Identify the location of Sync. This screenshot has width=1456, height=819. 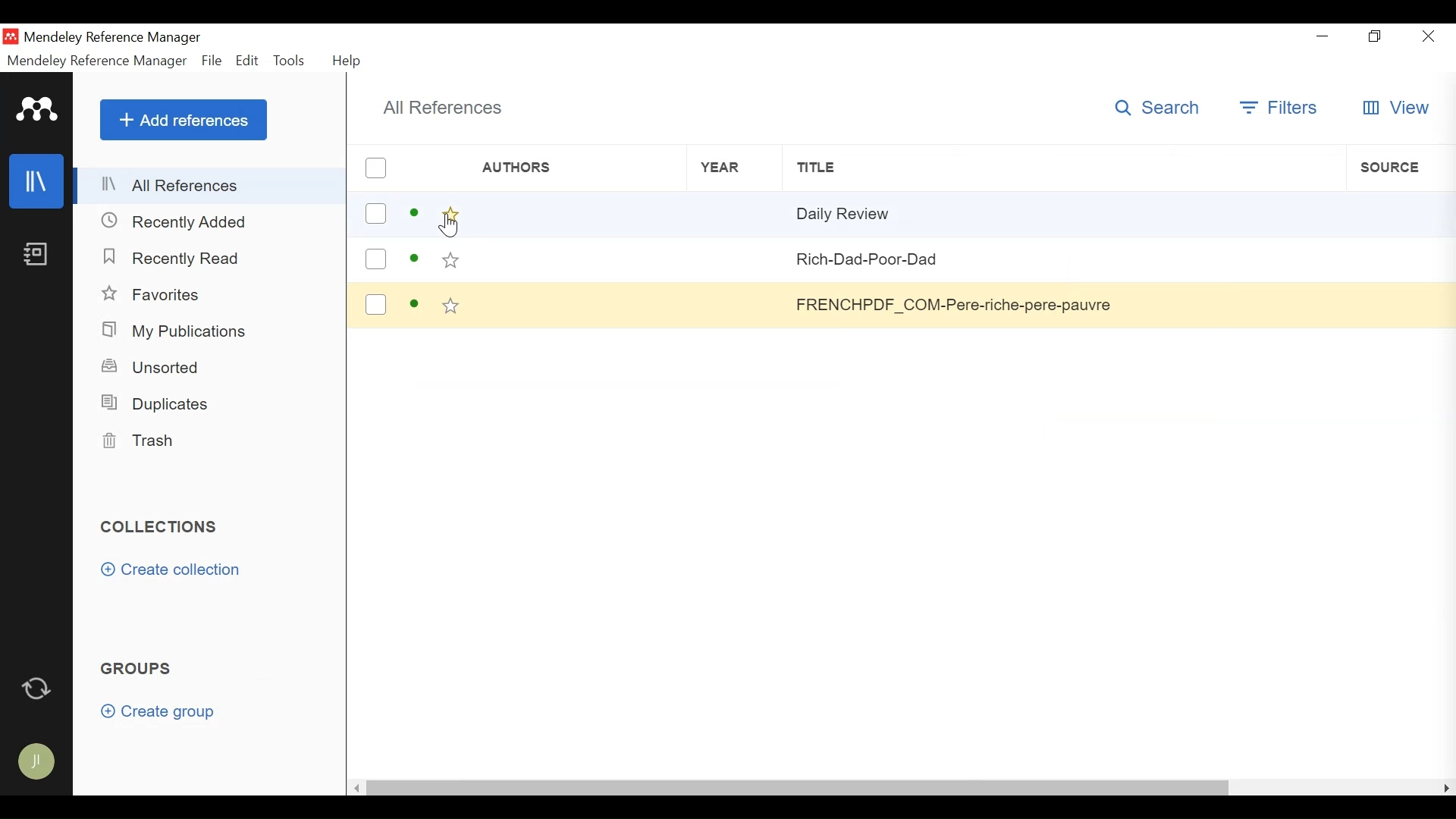
(39, 687).